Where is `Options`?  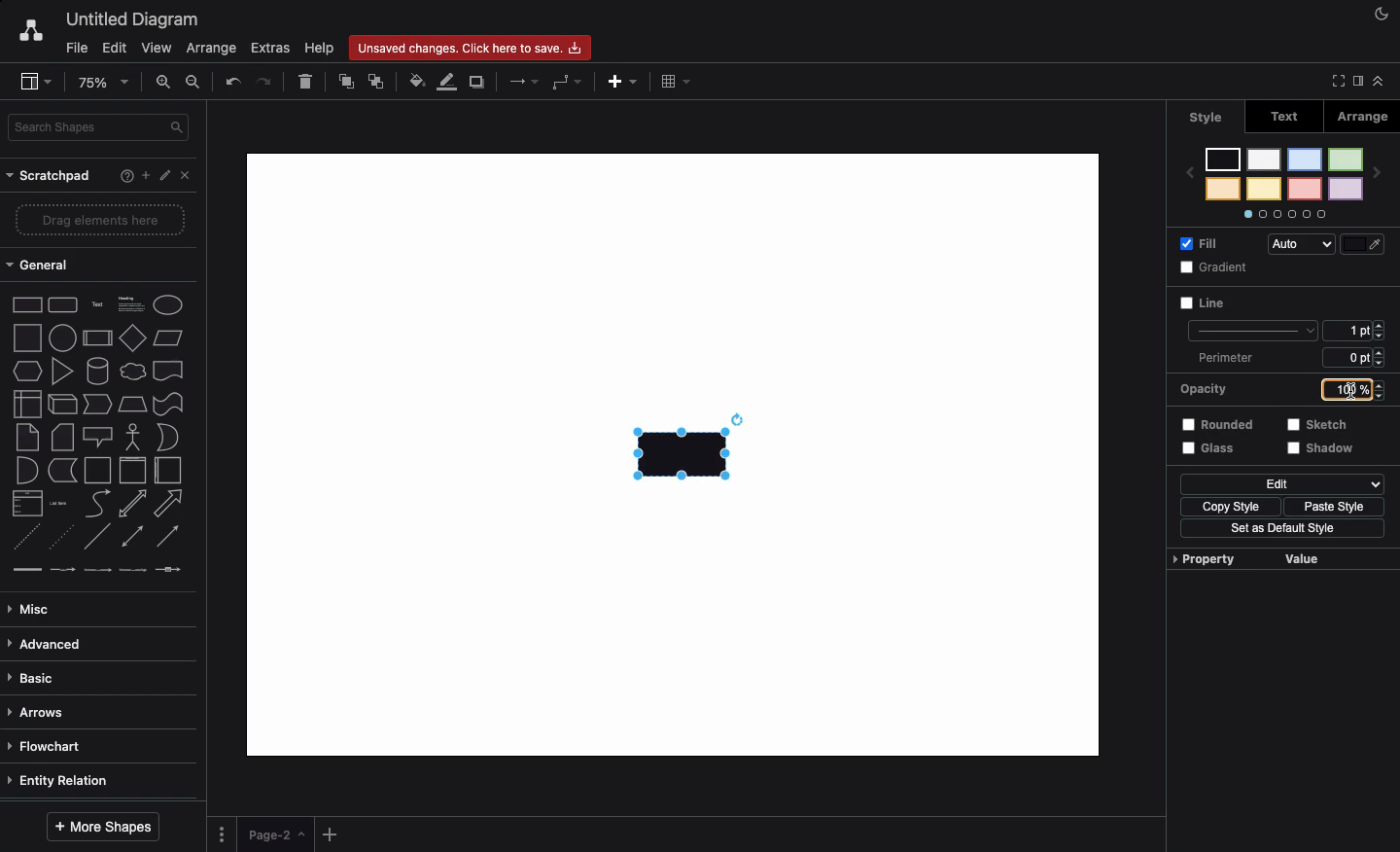
Options is located at coordinates (1284, 214).